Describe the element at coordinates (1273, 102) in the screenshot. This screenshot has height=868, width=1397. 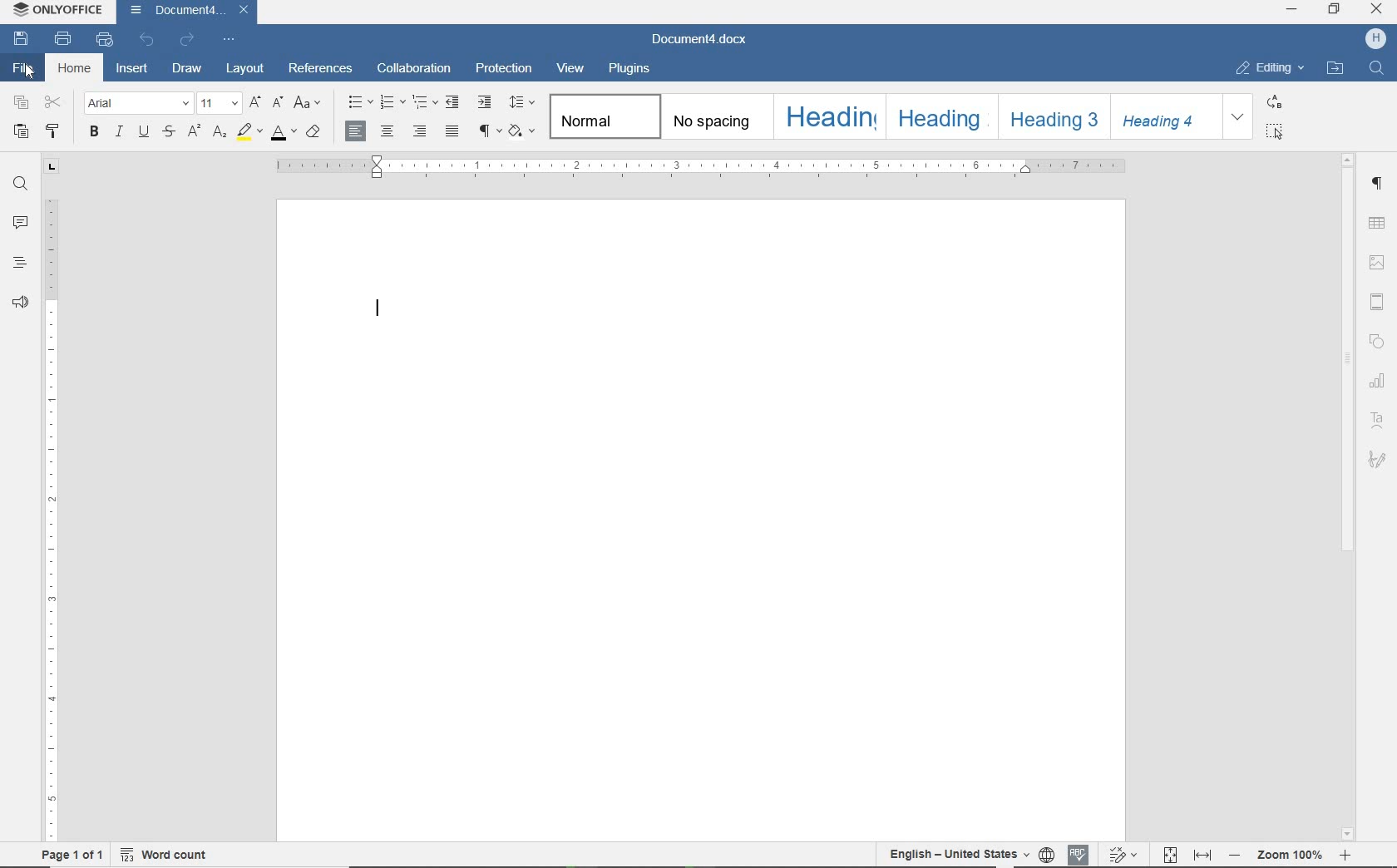
I see `replace` at that location.